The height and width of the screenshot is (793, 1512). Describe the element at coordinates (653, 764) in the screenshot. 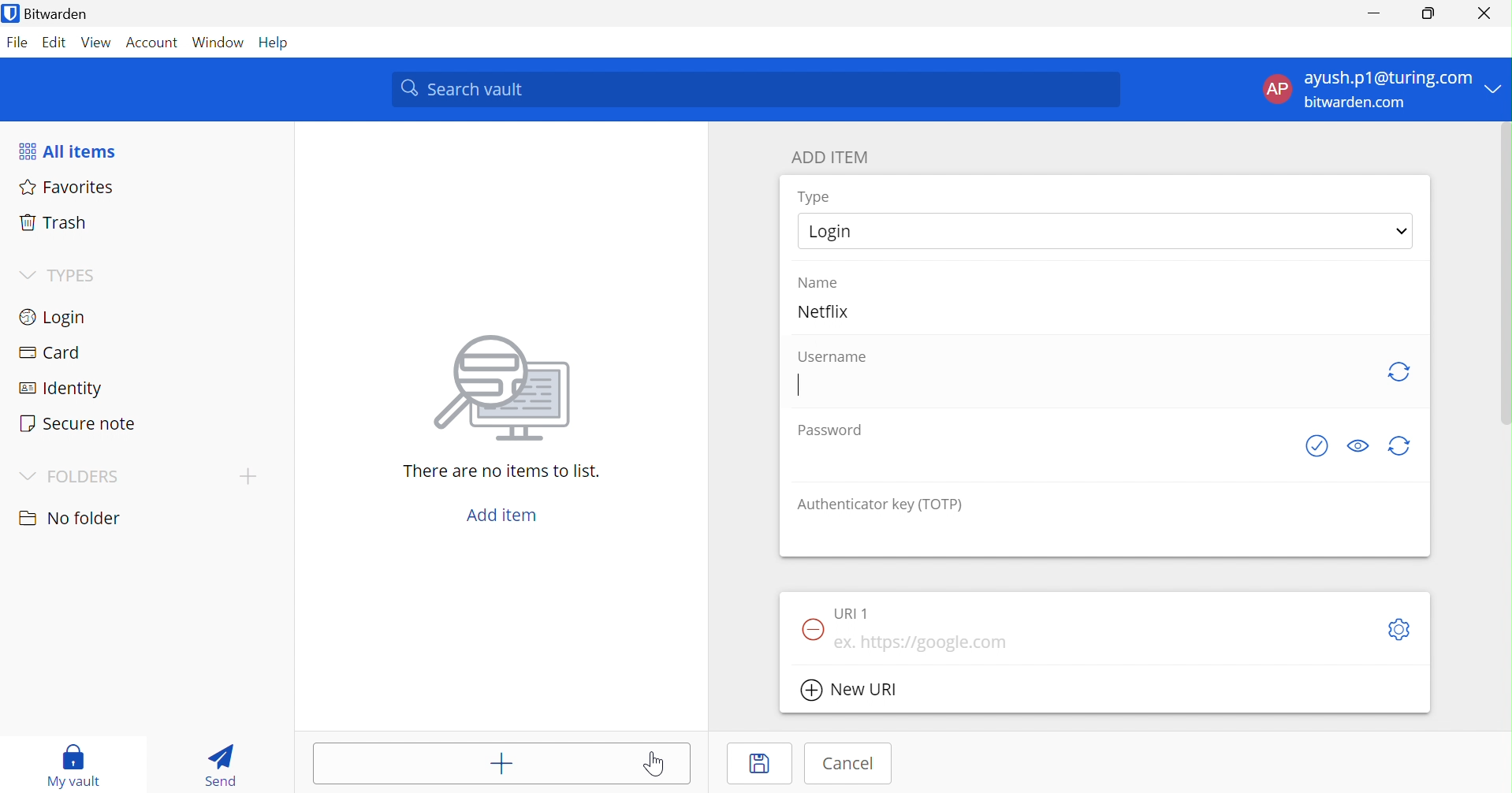

I see `Cursor` at that location.